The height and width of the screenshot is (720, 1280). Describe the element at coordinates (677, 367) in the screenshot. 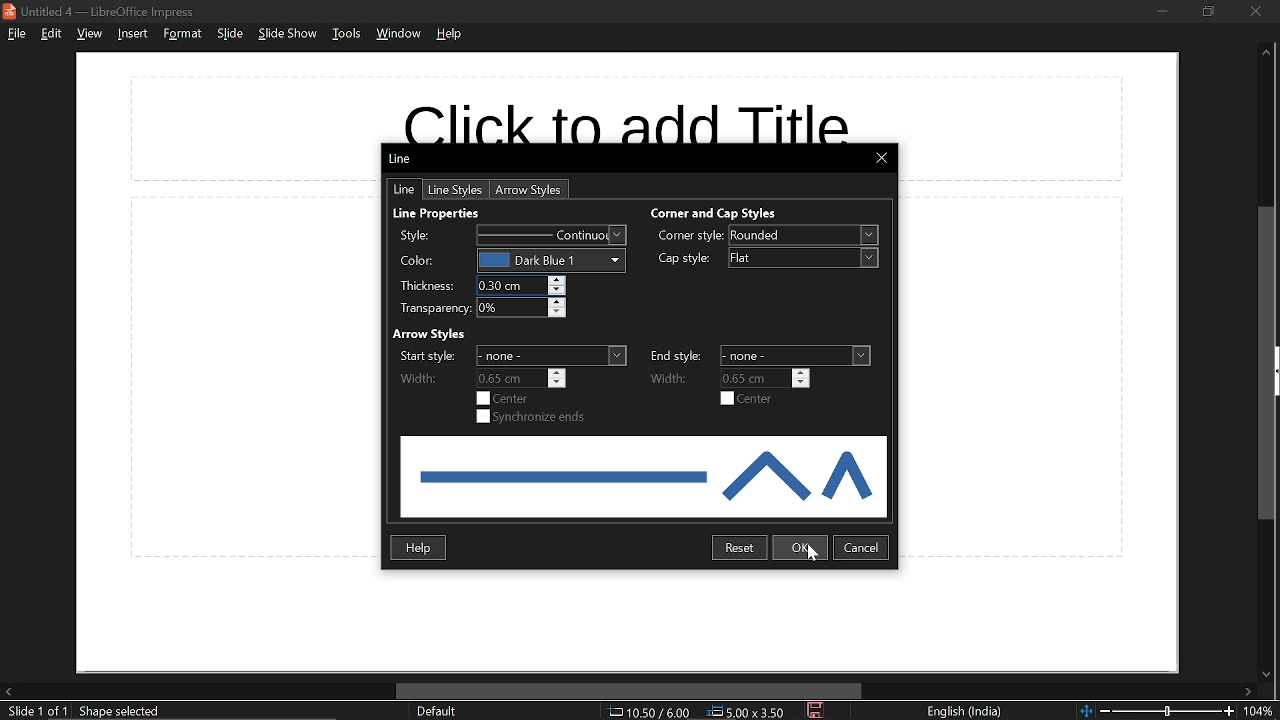

I see `Lables` at that location.